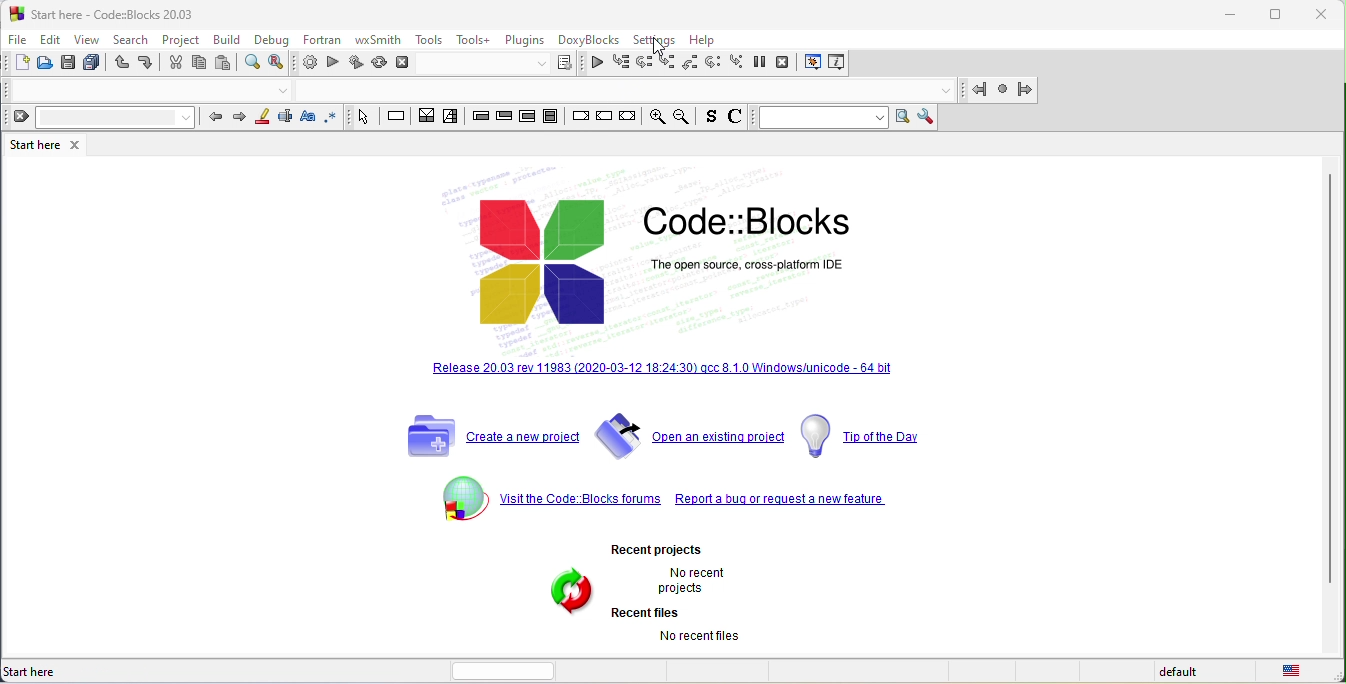 The width and height of the screenshot is (1346, 684). Describe the element at coordinates (311, 117) in the screenshot. I see `match case` at that location.